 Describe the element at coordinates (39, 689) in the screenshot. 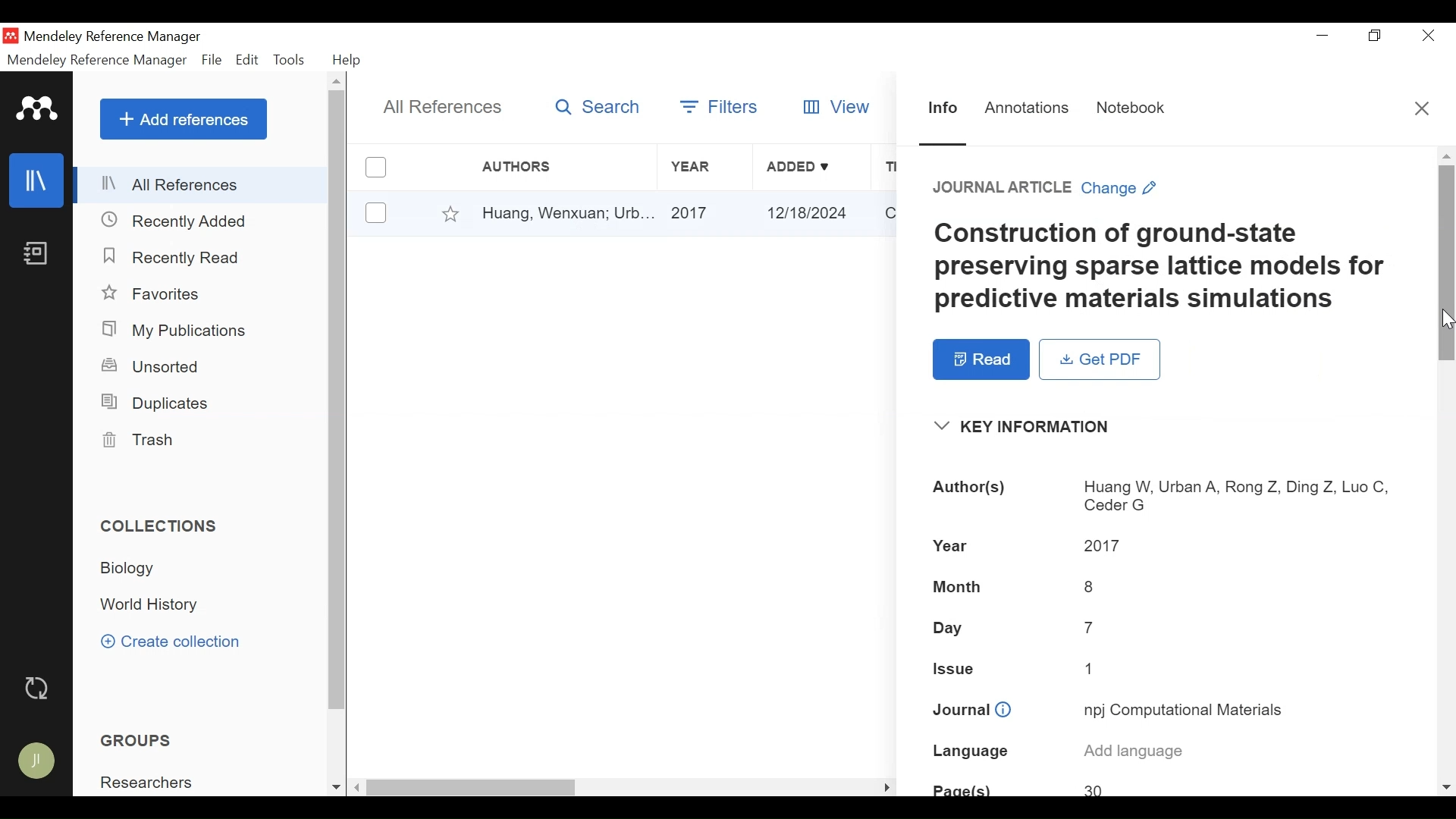

I see `Sync` at that location.